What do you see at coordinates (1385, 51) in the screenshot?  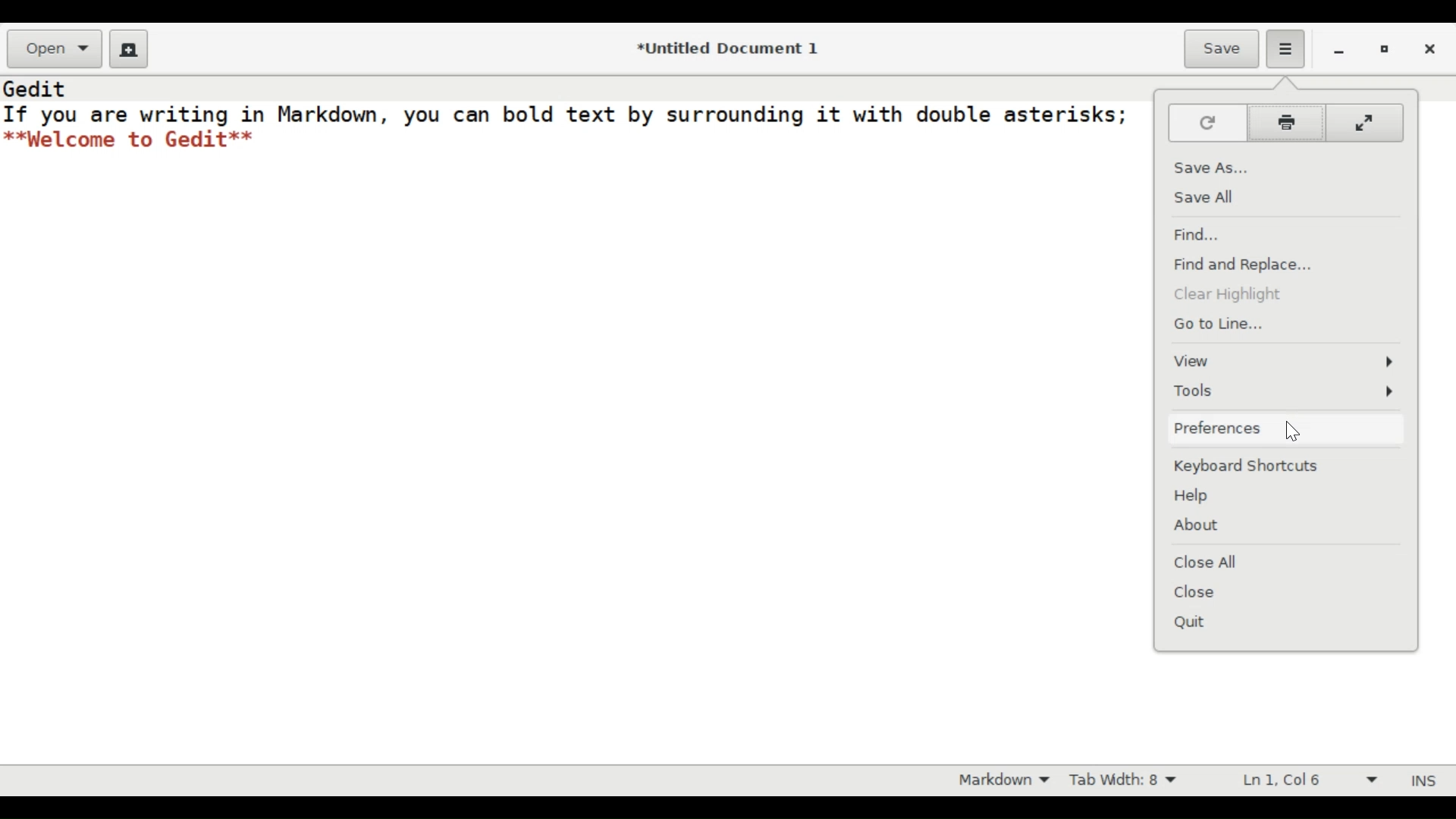 I see `restore` at bounding box center [1385, 51].